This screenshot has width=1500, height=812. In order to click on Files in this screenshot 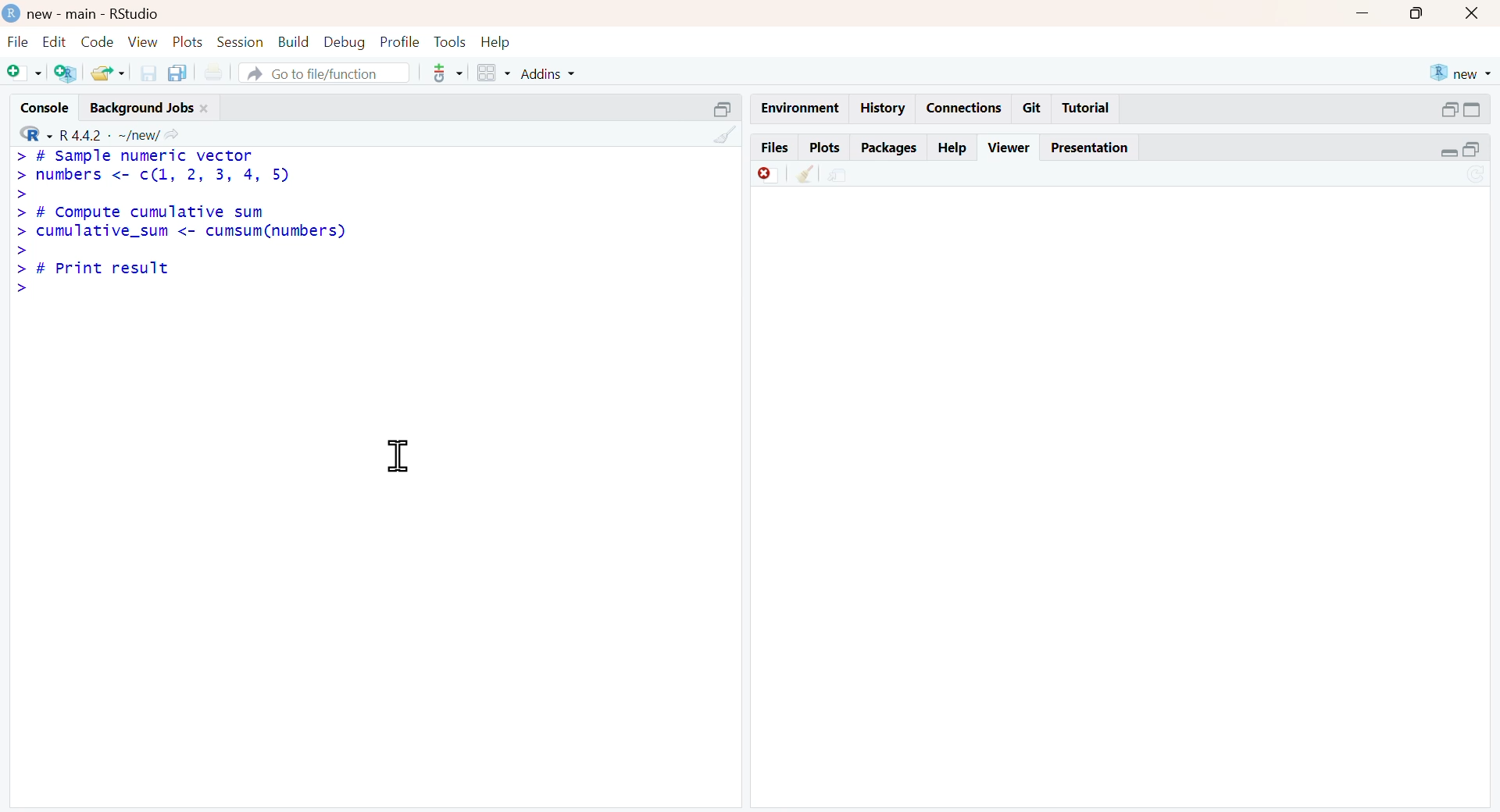, I will do `click(775, 148)`.